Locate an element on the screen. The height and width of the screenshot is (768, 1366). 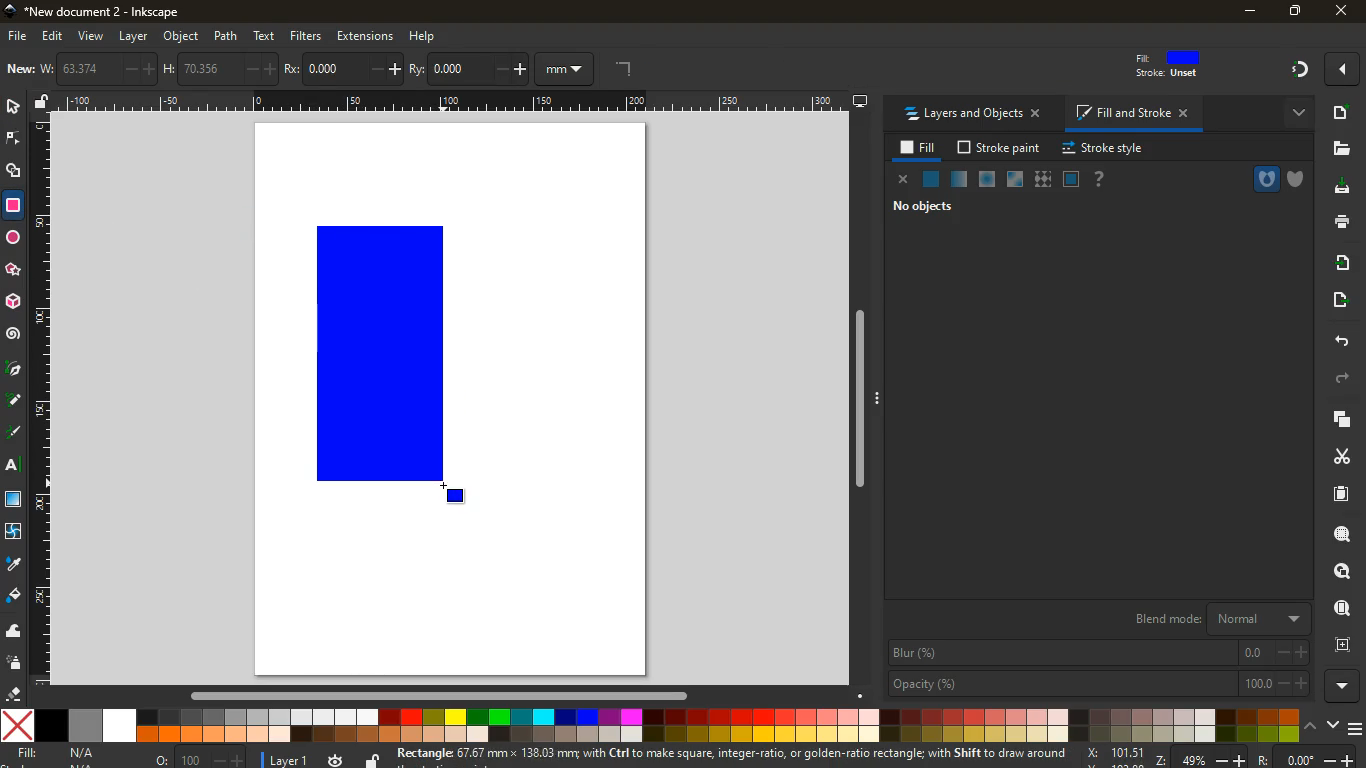
layers and objects is located at coordinates (972, 115).